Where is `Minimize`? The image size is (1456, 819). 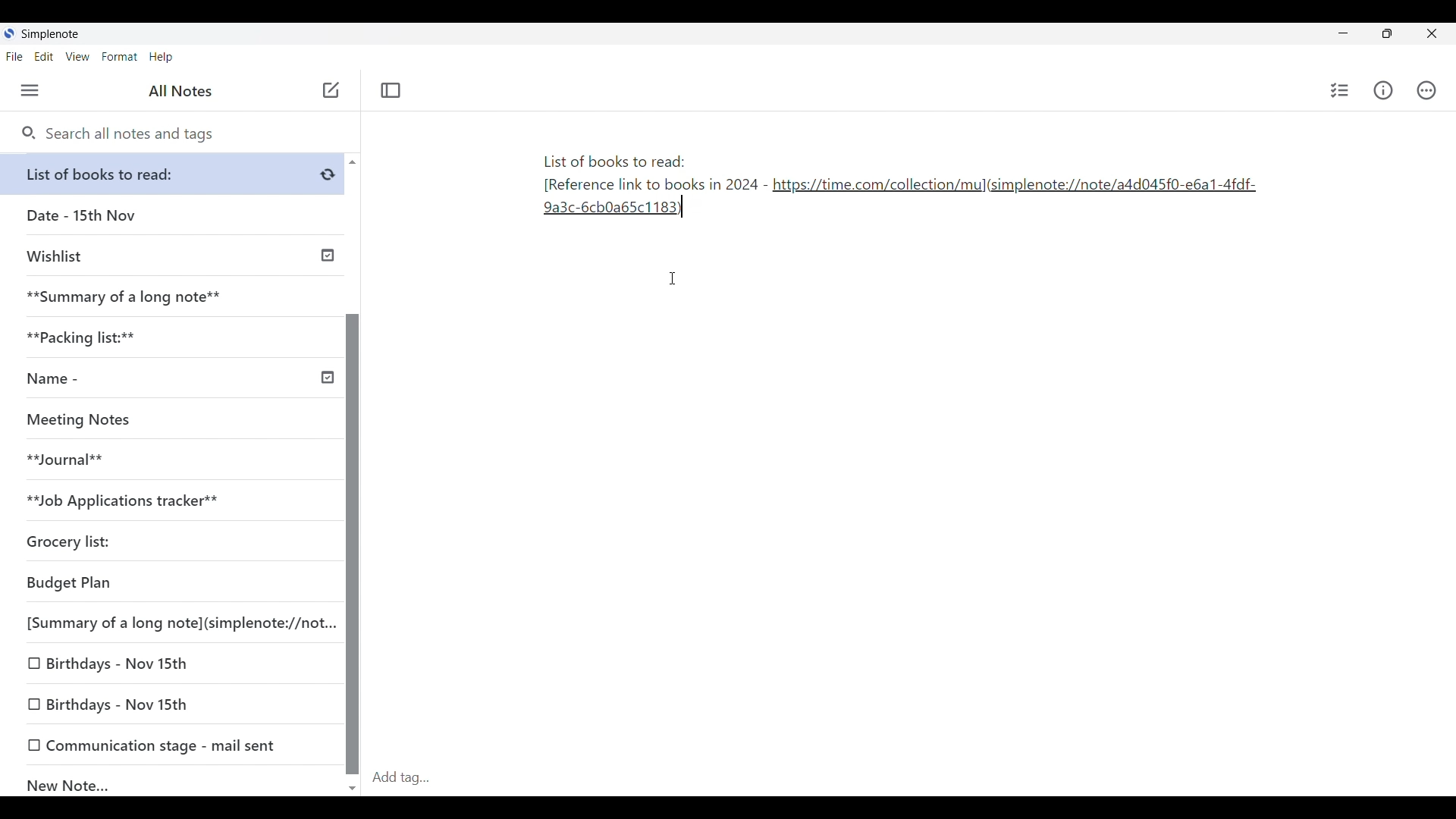 Minimize is located at coordinates (1340, 32).